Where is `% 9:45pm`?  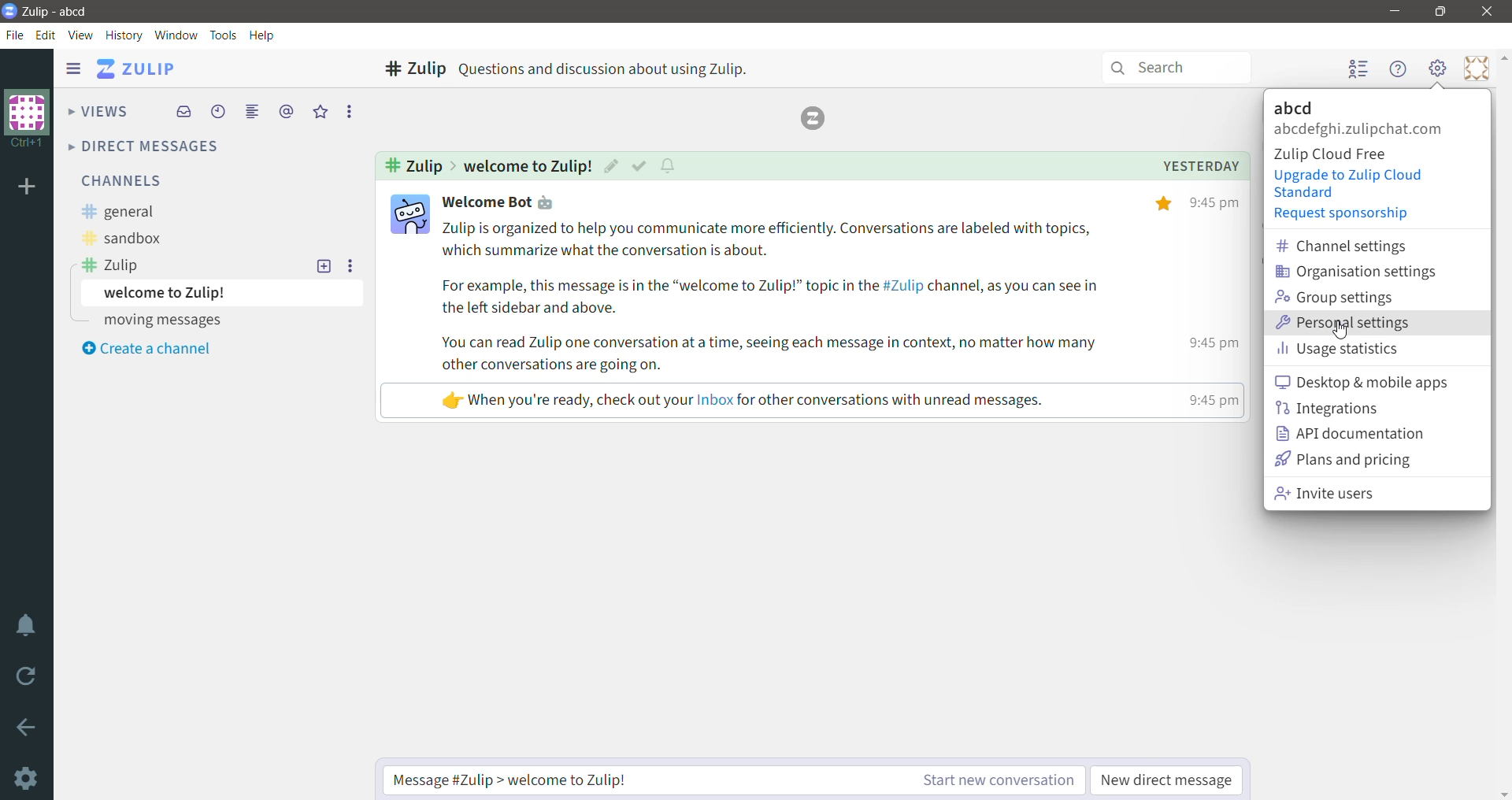 % 9:45pm is located at coordinates (1199, 202).